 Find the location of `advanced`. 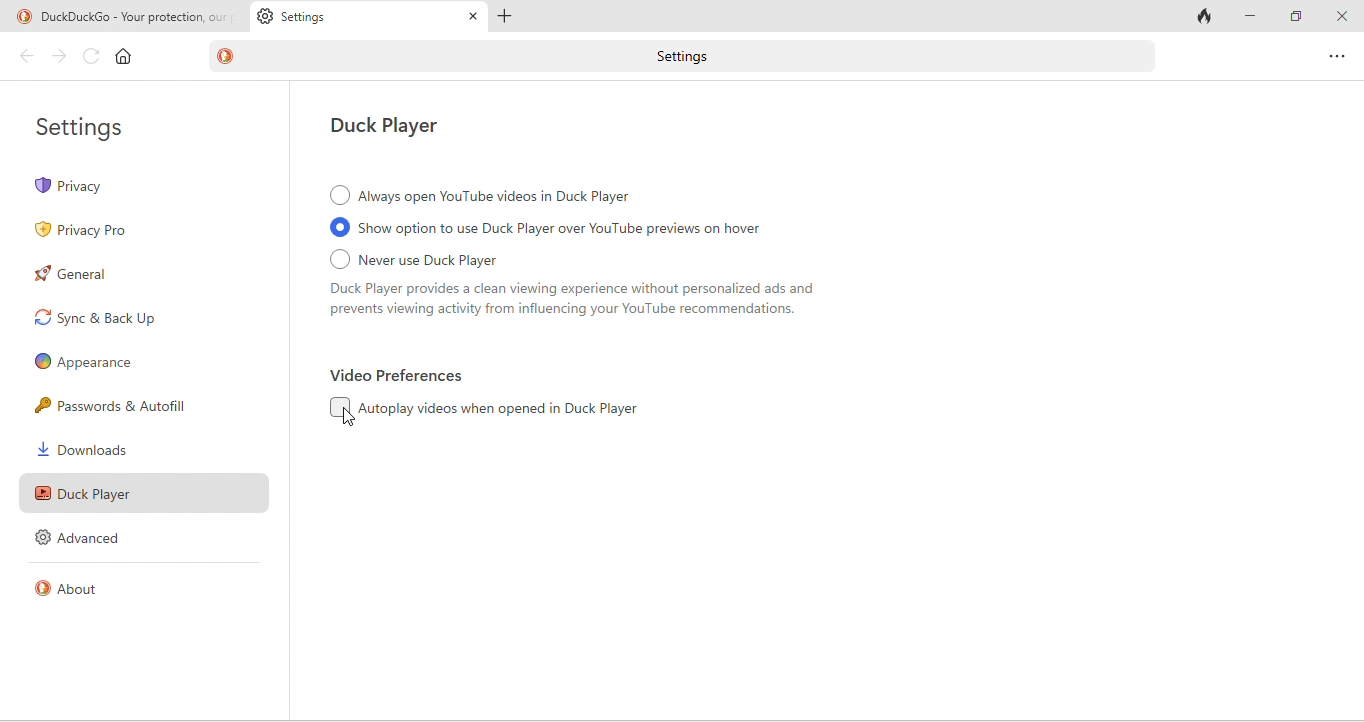

advanced is located at coordinates (85, 538).